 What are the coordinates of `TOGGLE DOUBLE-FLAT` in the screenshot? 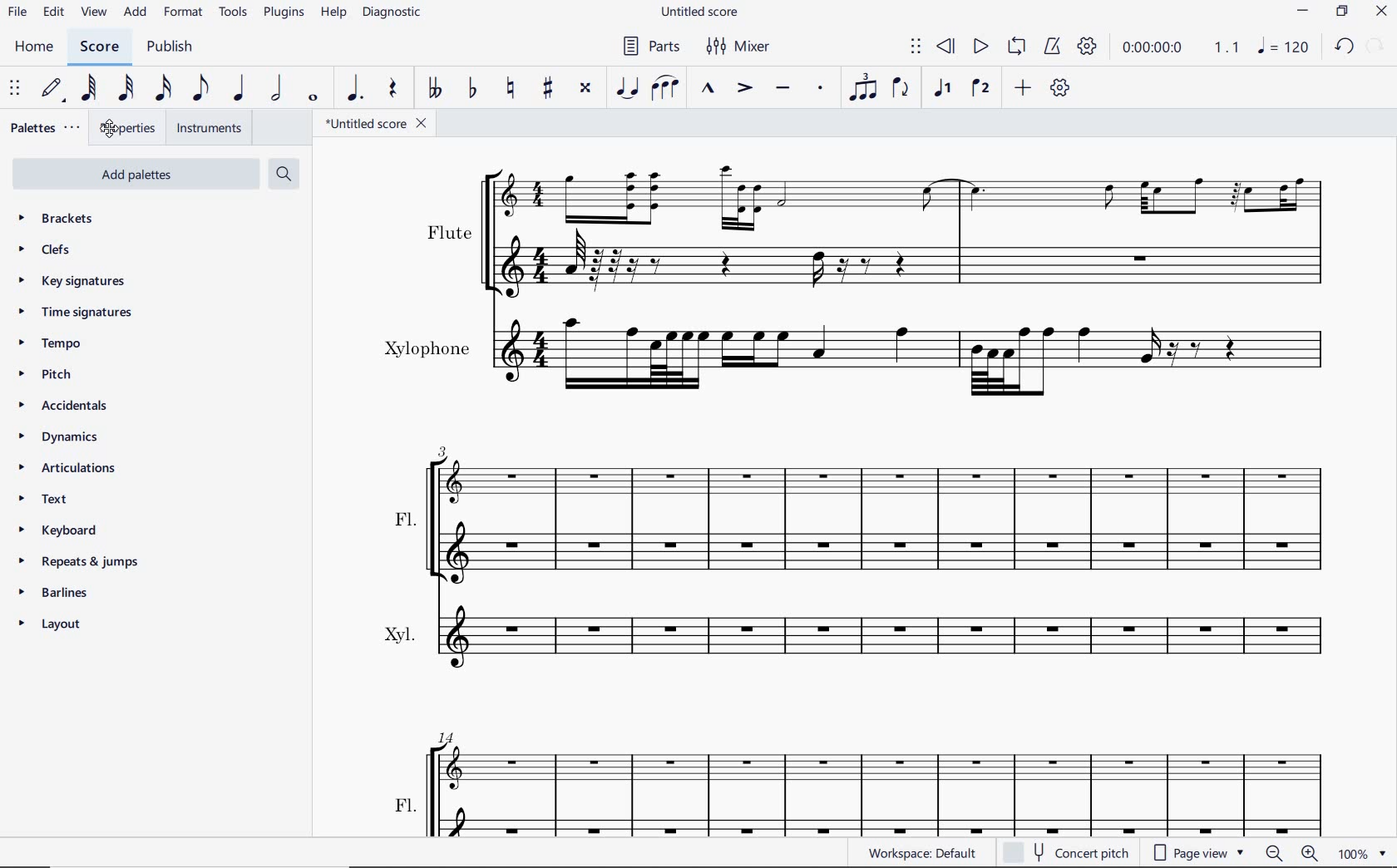 It's located at (437, 88).